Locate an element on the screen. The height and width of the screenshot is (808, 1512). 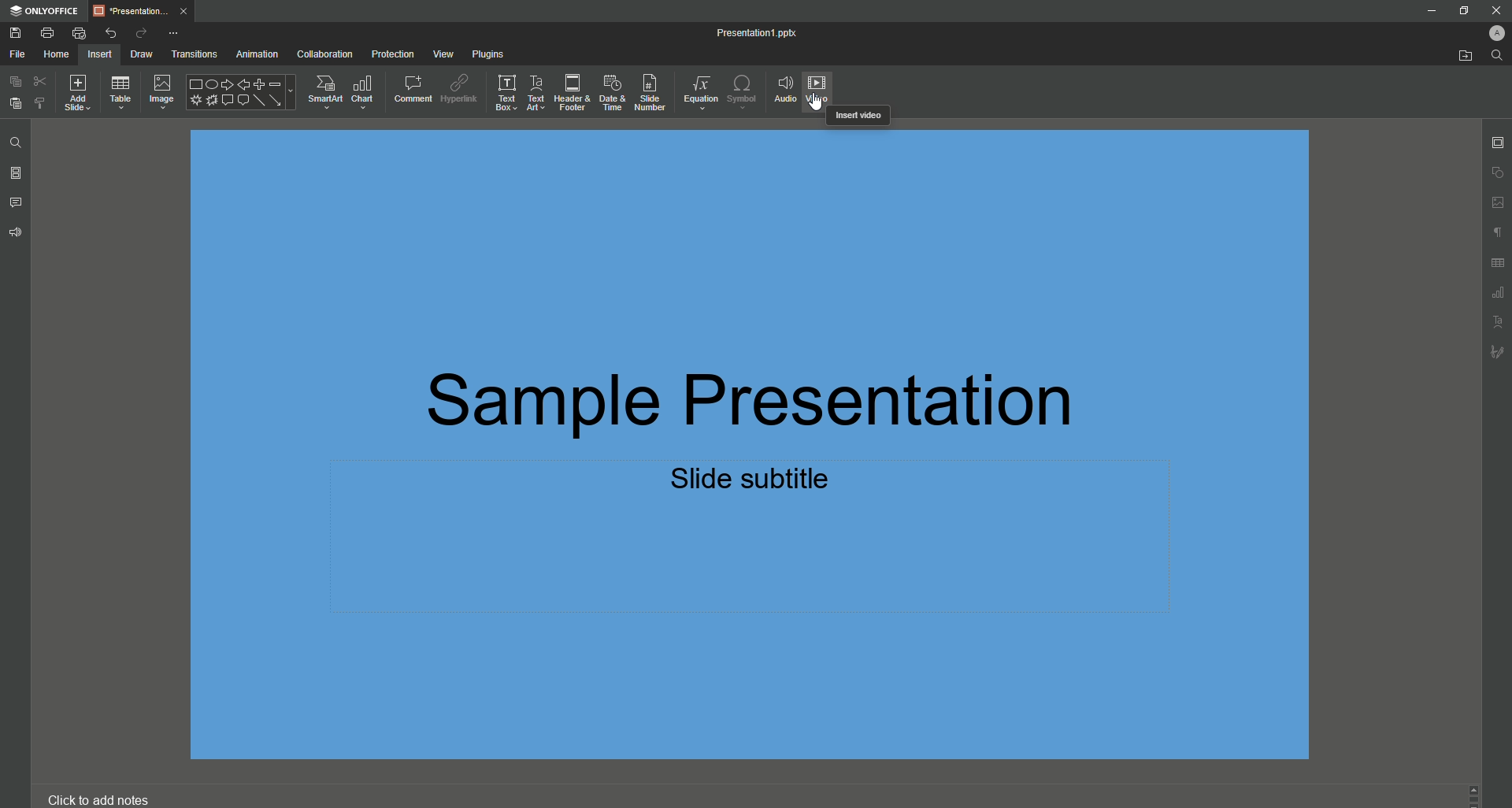
Plugins is located at coordinates (486, 52).